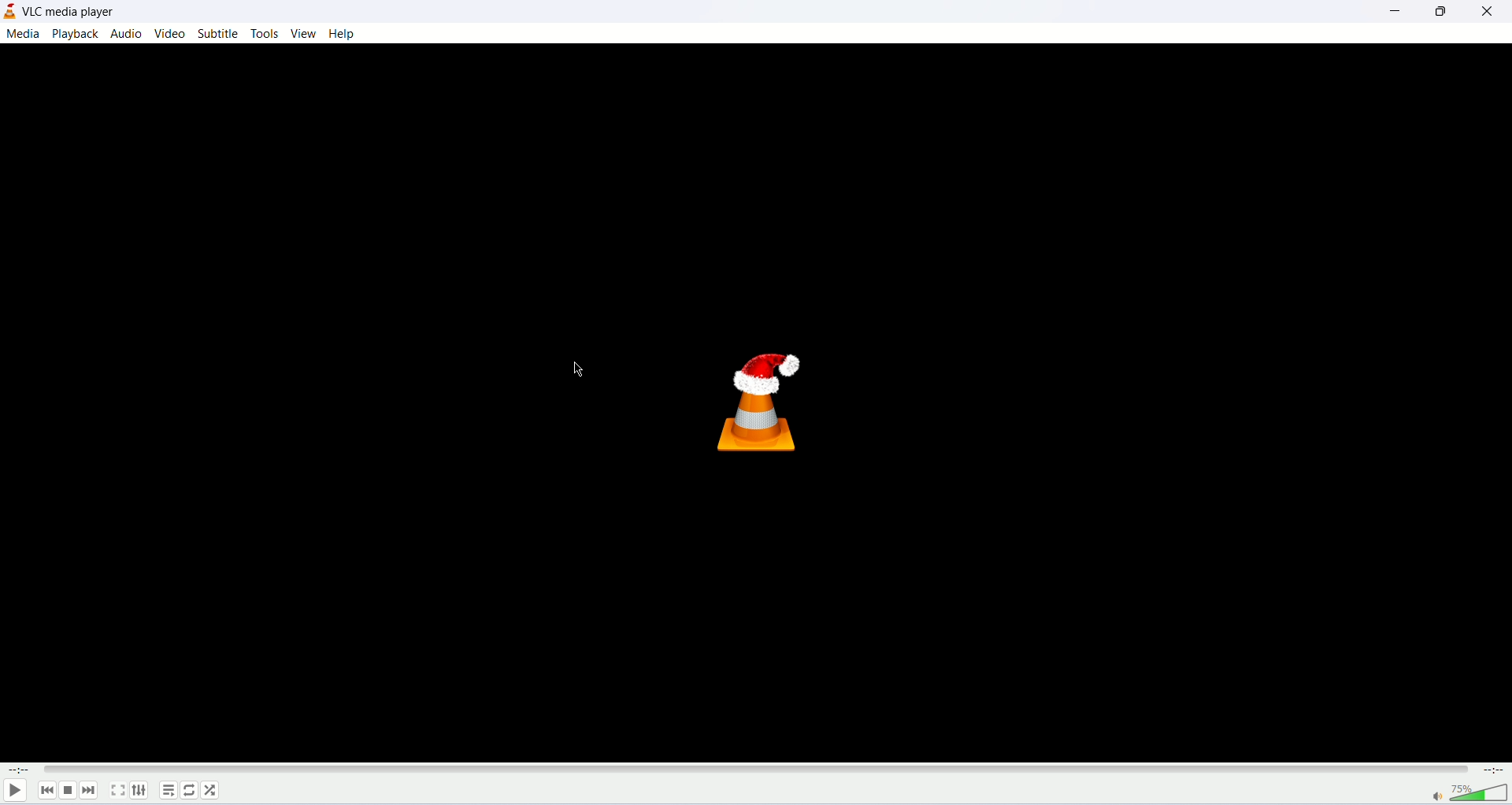 This screenshot has height=805, width=1512. Describe the element at coordinates (1495, 768) in the screenshot. I see `total time` at that location.